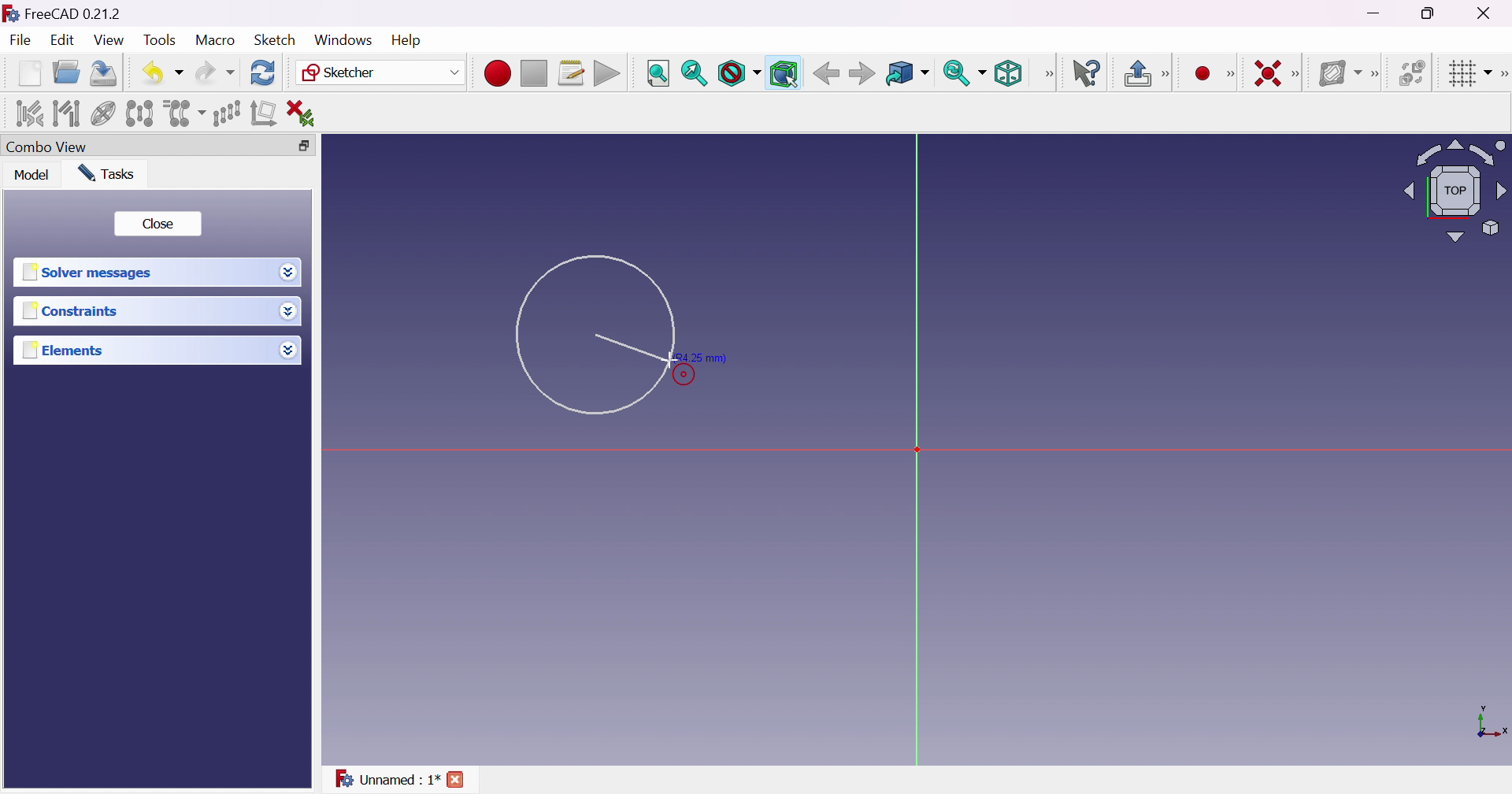  I want to click on Restore down, so click(1429, 15).